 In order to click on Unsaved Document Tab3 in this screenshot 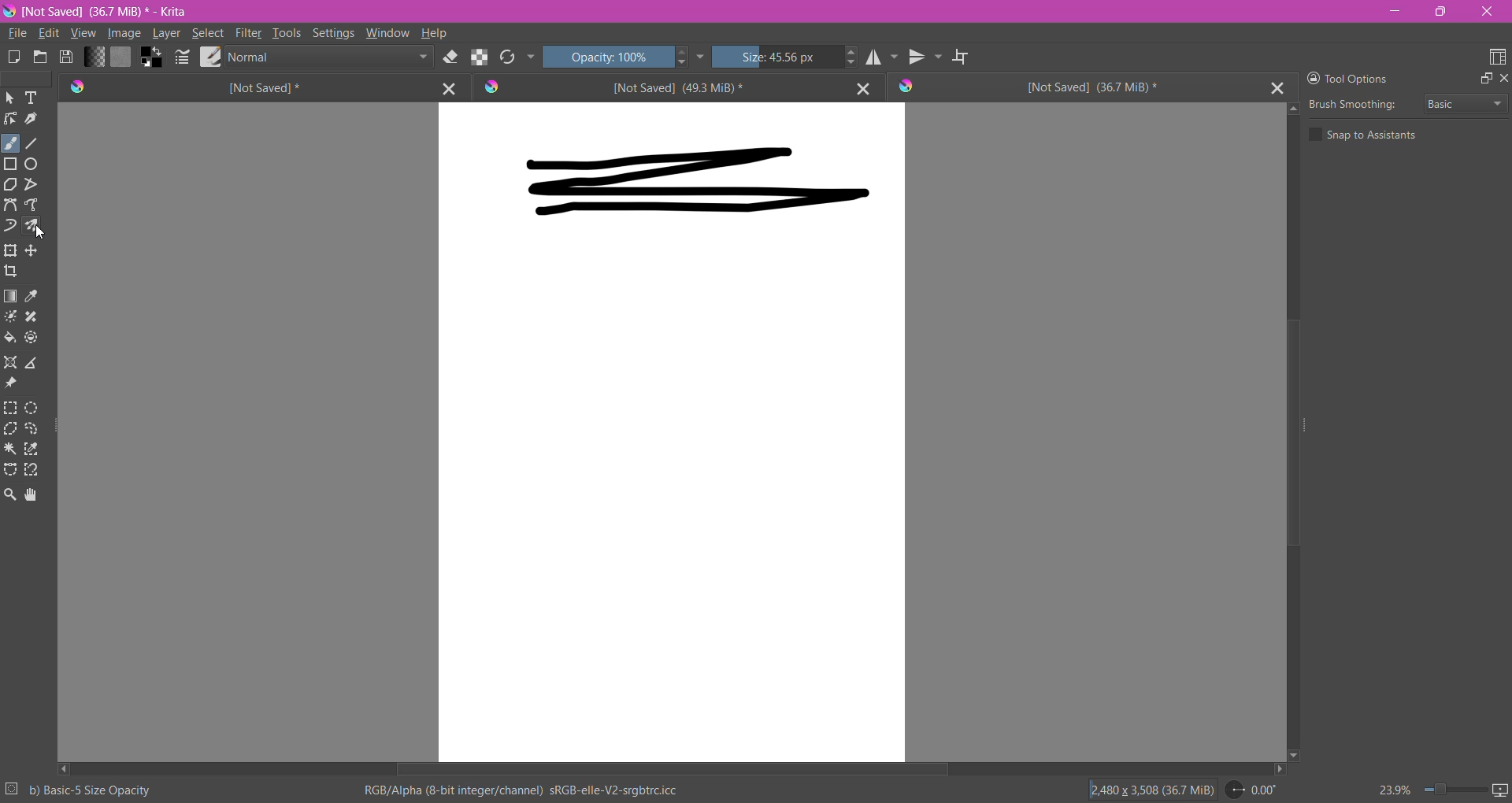, I will do `click(1077, 87)`.